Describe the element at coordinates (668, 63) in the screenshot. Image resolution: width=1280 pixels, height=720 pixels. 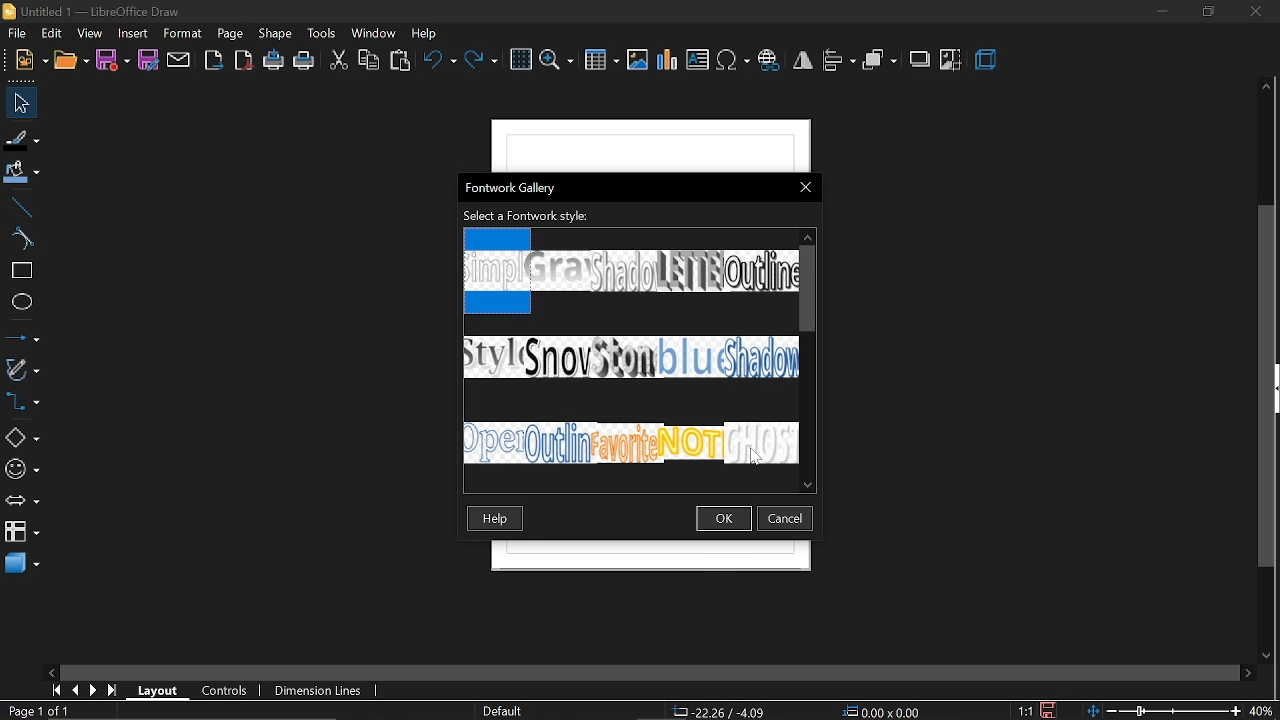
I see `insert chart` at that location.